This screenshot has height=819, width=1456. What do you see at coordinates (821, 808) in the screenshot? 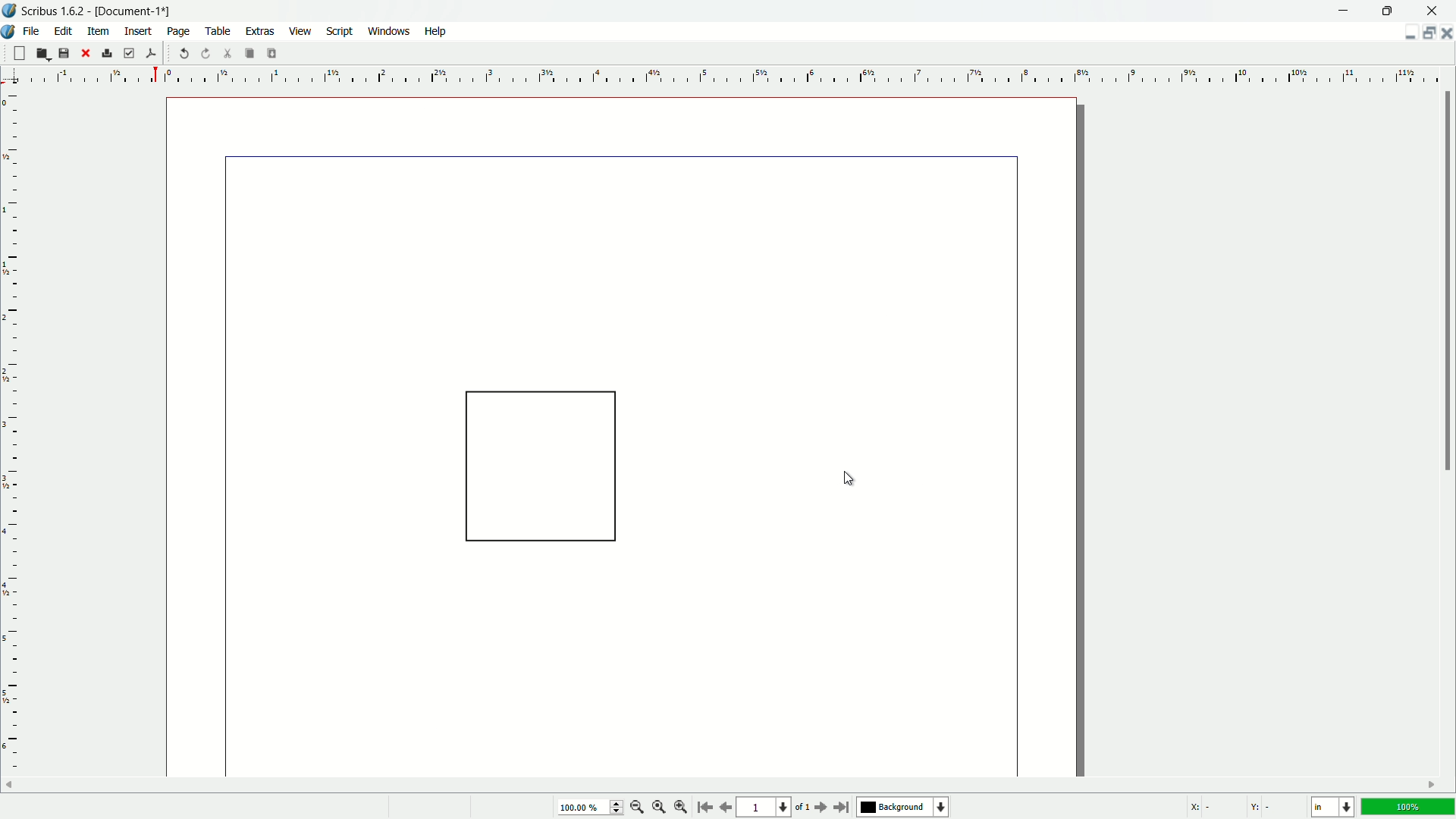
I see `go to next page` at bounding box center [821, 808].